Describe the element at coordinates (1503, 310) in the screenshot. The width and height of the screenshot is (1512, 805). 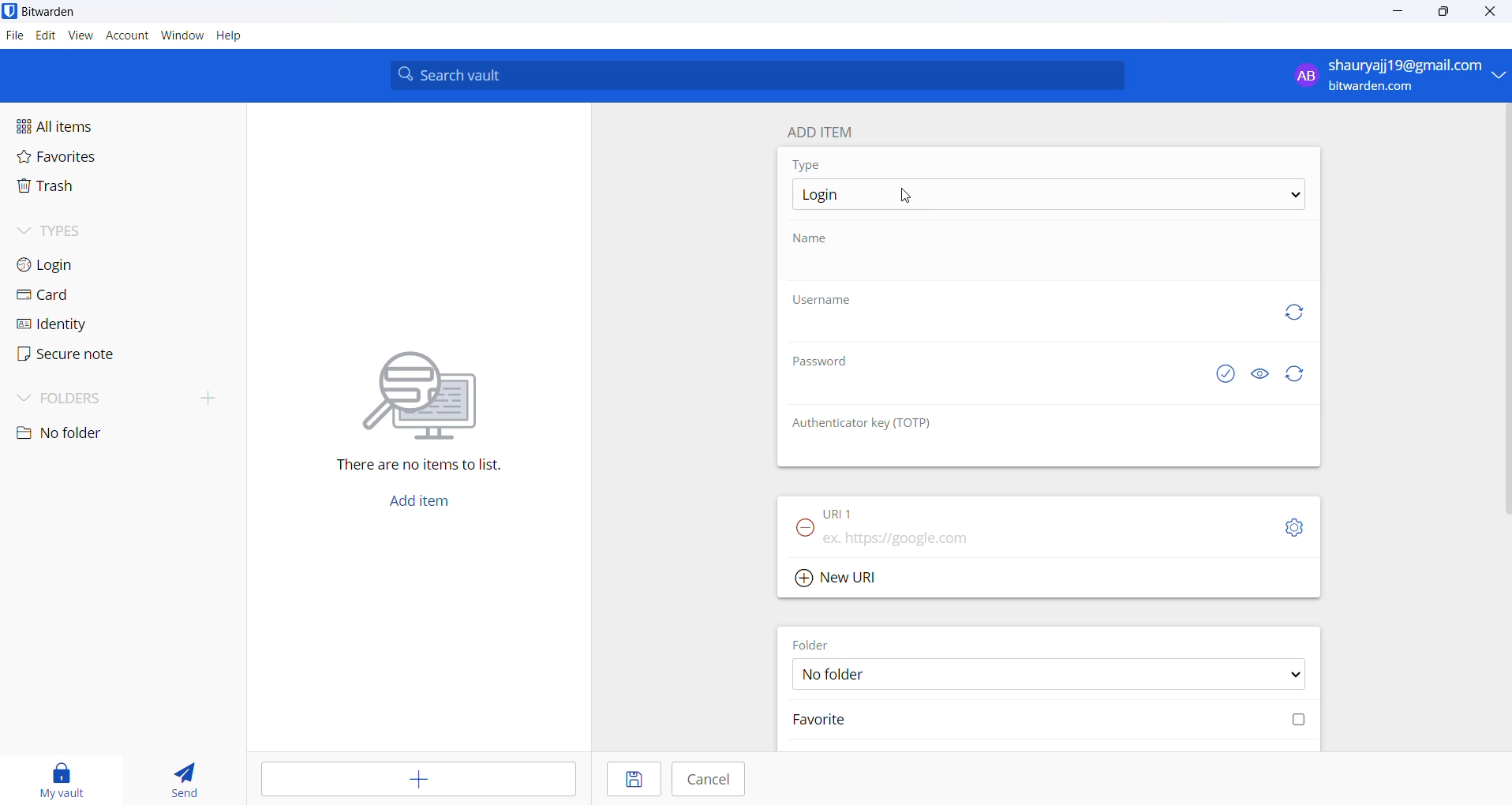
I see `scrollbar` at that location.